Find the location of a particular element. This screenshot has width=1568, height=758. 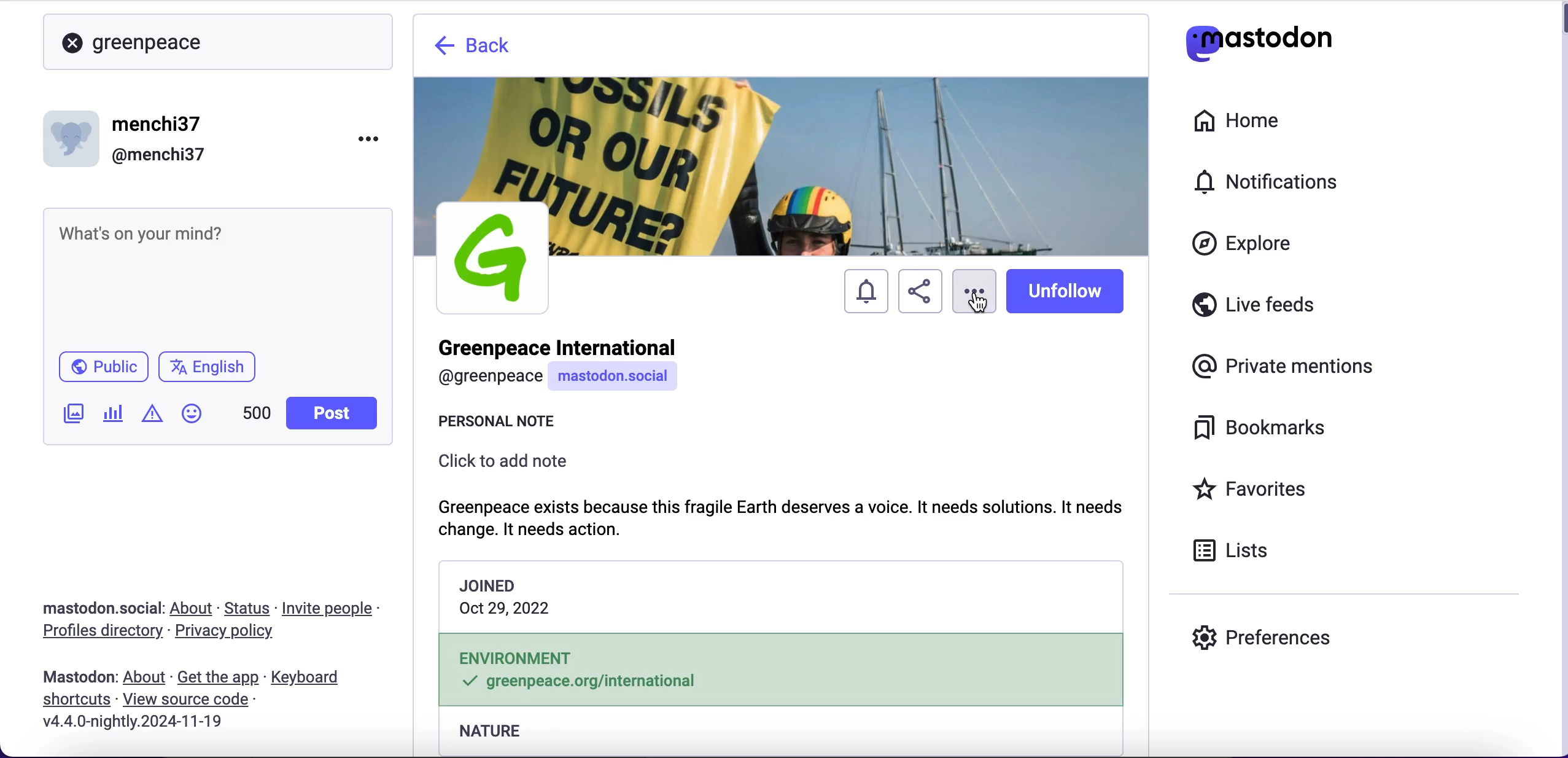

view source code is located at coordinates (190, 700).